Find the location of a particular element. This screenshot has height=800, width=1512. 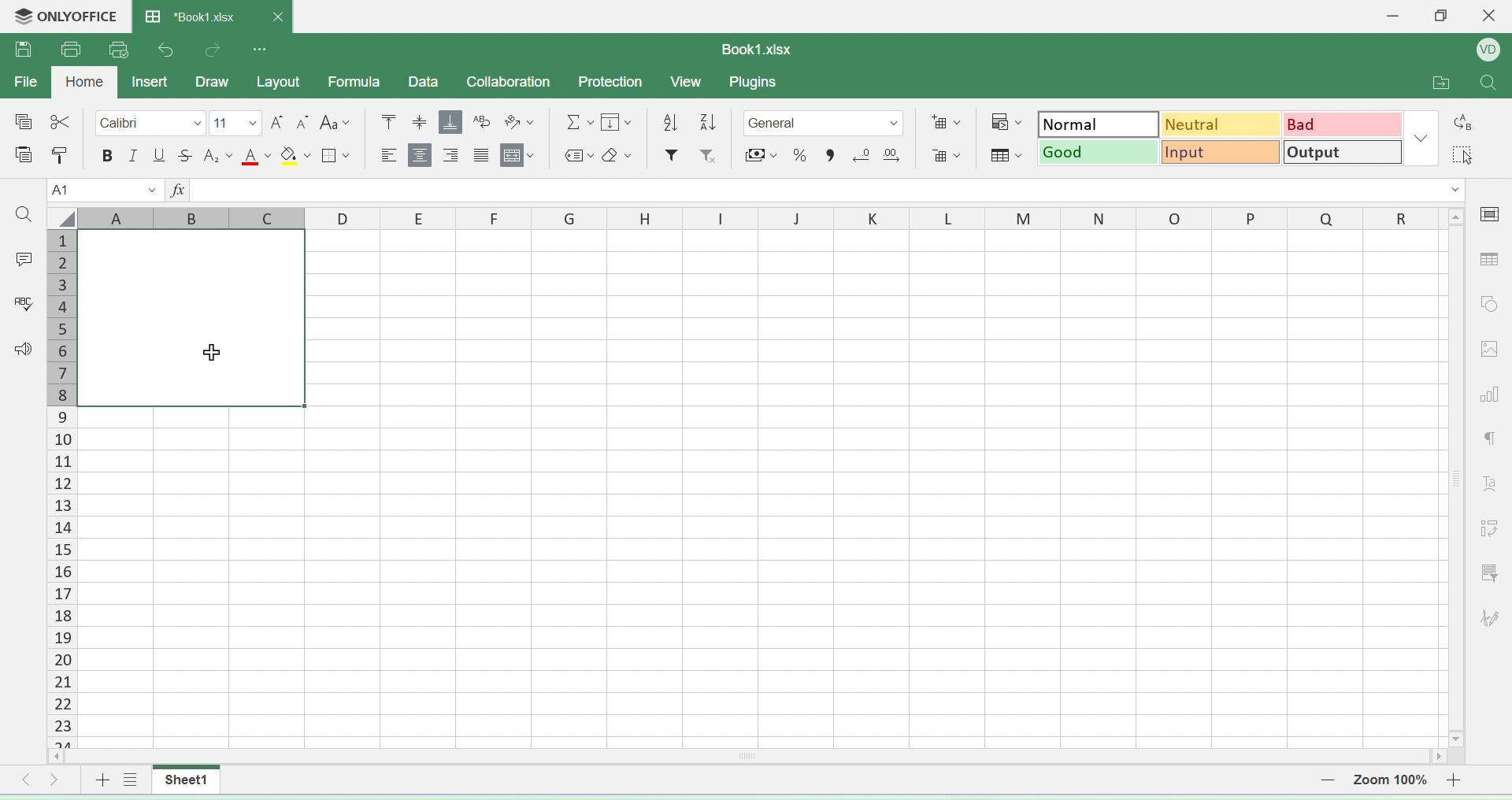

formula is located at coordinates (575, 123).